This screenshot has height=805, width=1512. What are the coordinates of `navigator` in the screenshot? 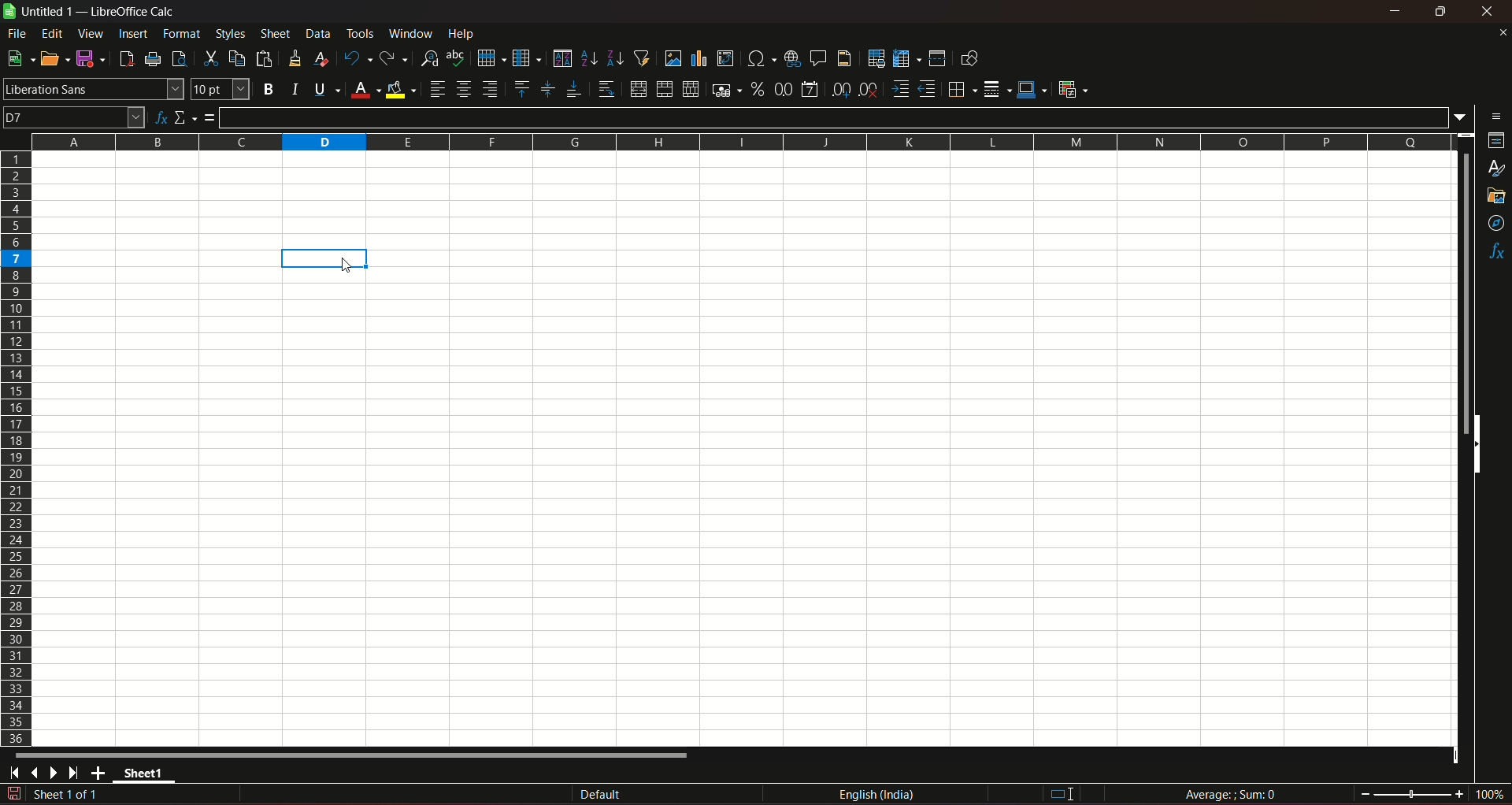 It's located at (1497, 224).